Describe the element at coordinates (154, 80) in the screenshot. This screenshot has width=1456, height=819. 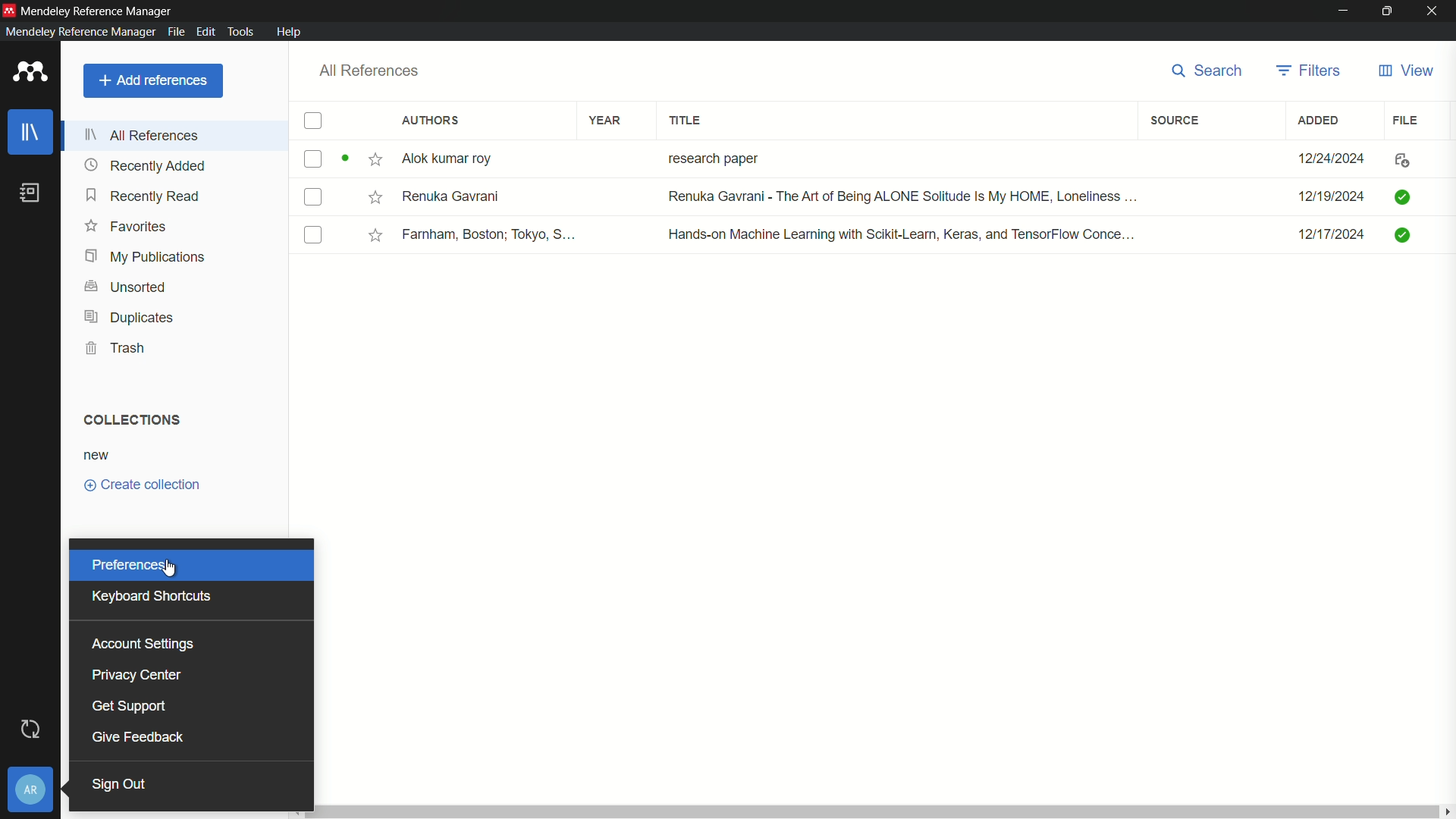
I see `add reference` at that location.